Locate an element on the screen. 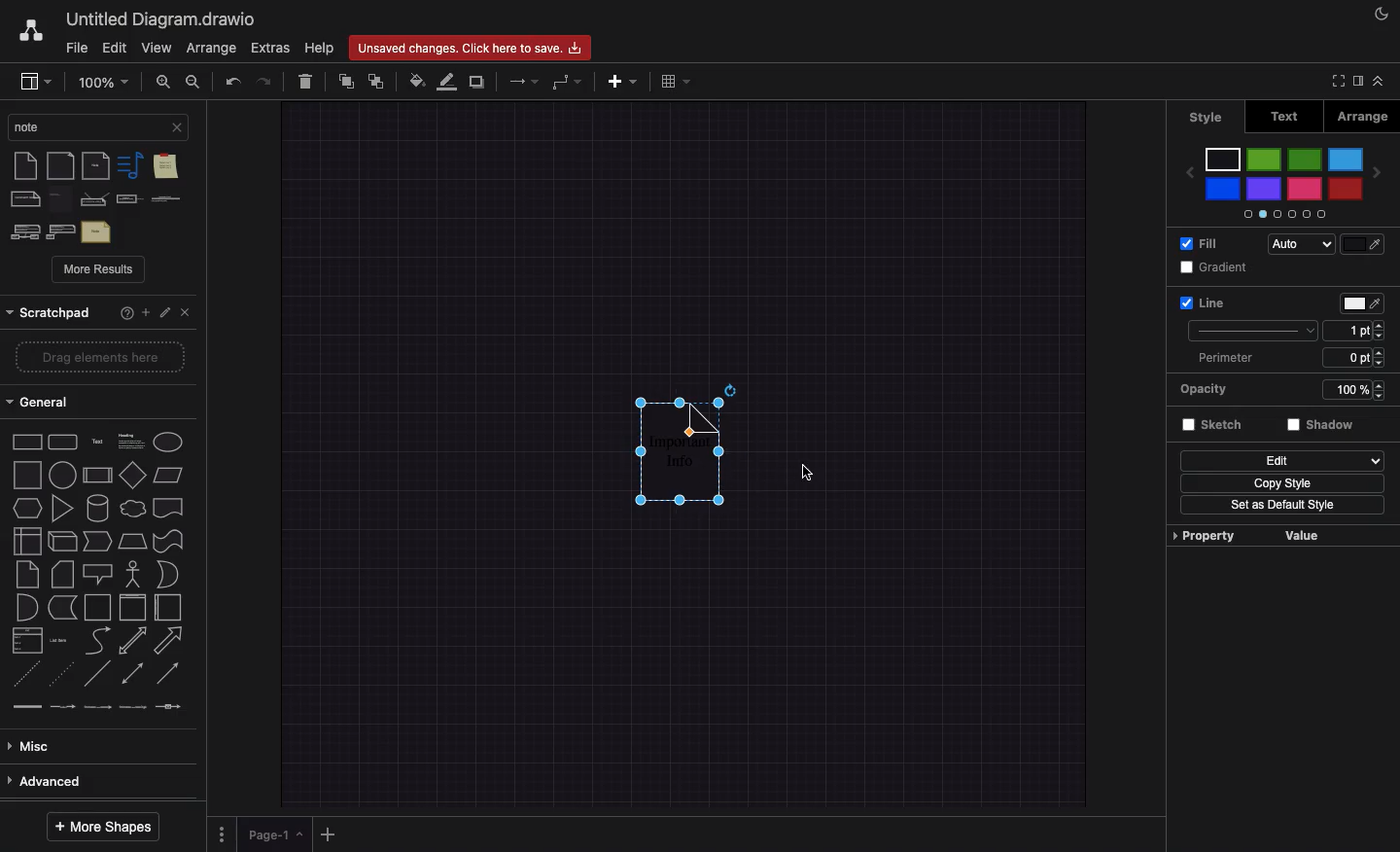  Text is located at coordinates (1288, 117).